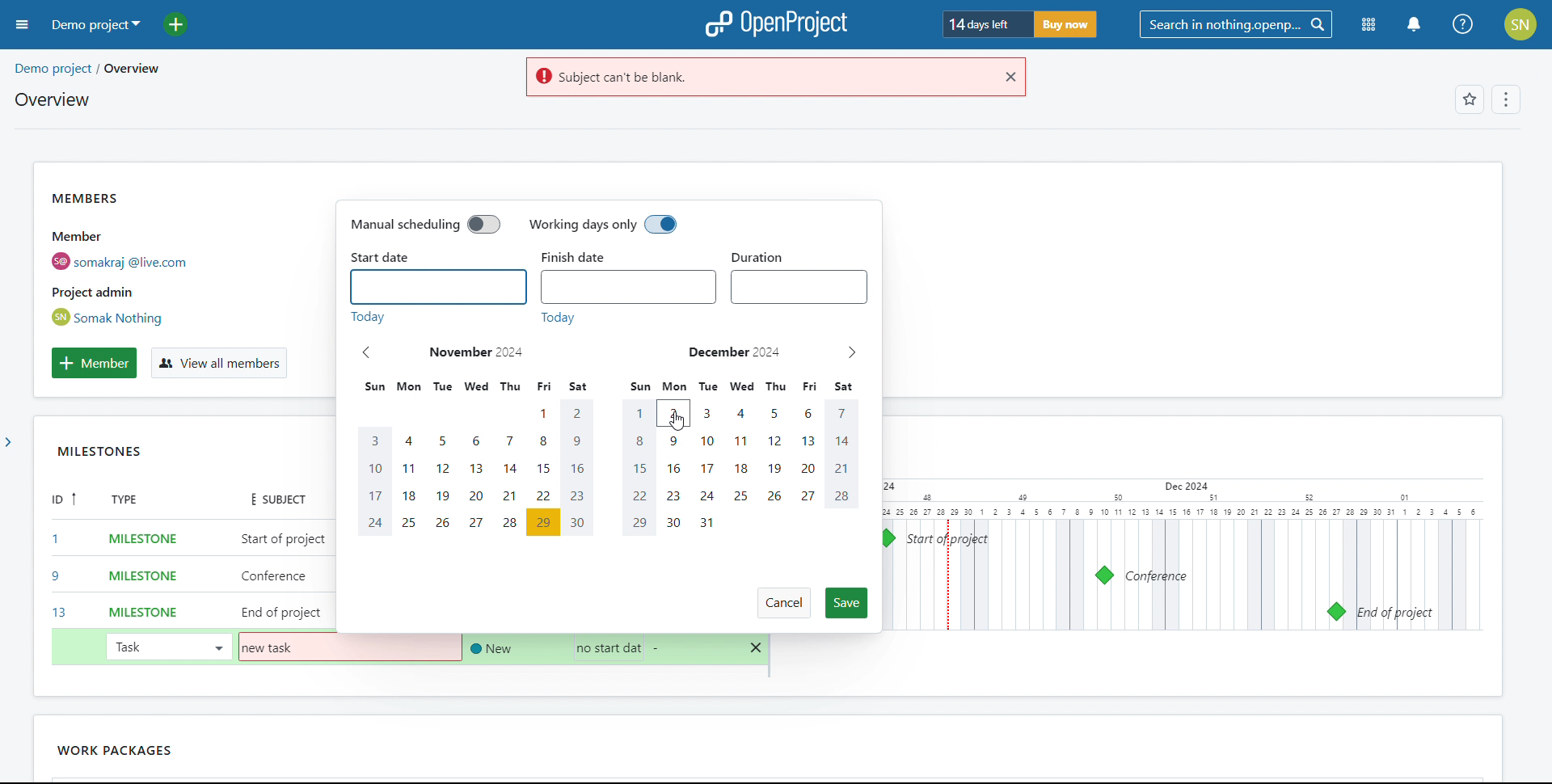 This screenshot has width=1552, height=784. Describe the element at coordinates (1104, 575) in the screenshot. I see `milestone 9` at that location.